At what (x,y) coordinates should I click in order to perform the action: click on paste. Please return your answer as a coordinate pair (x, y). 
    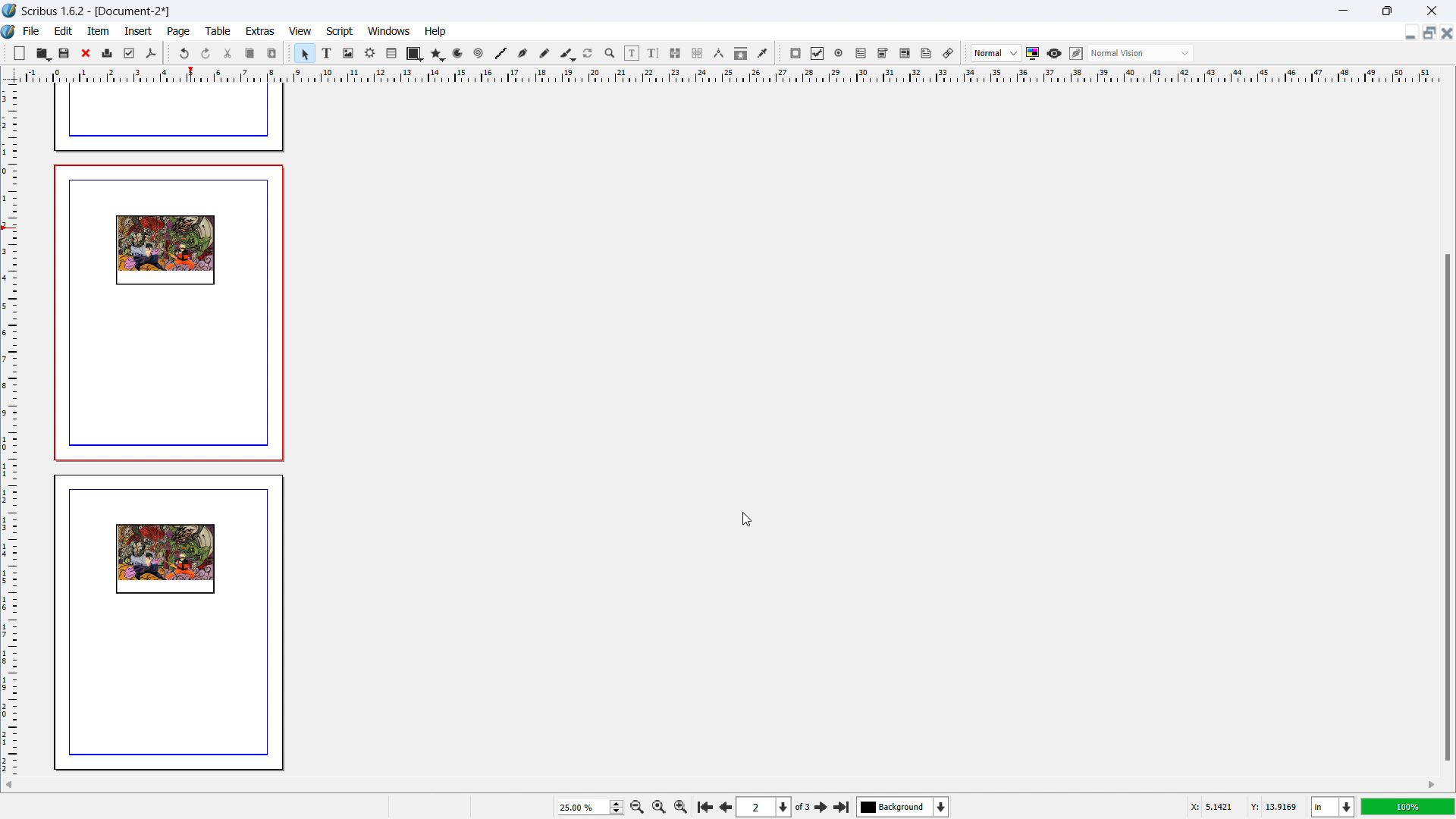
    Looking at the image, I should click on (272, 53).